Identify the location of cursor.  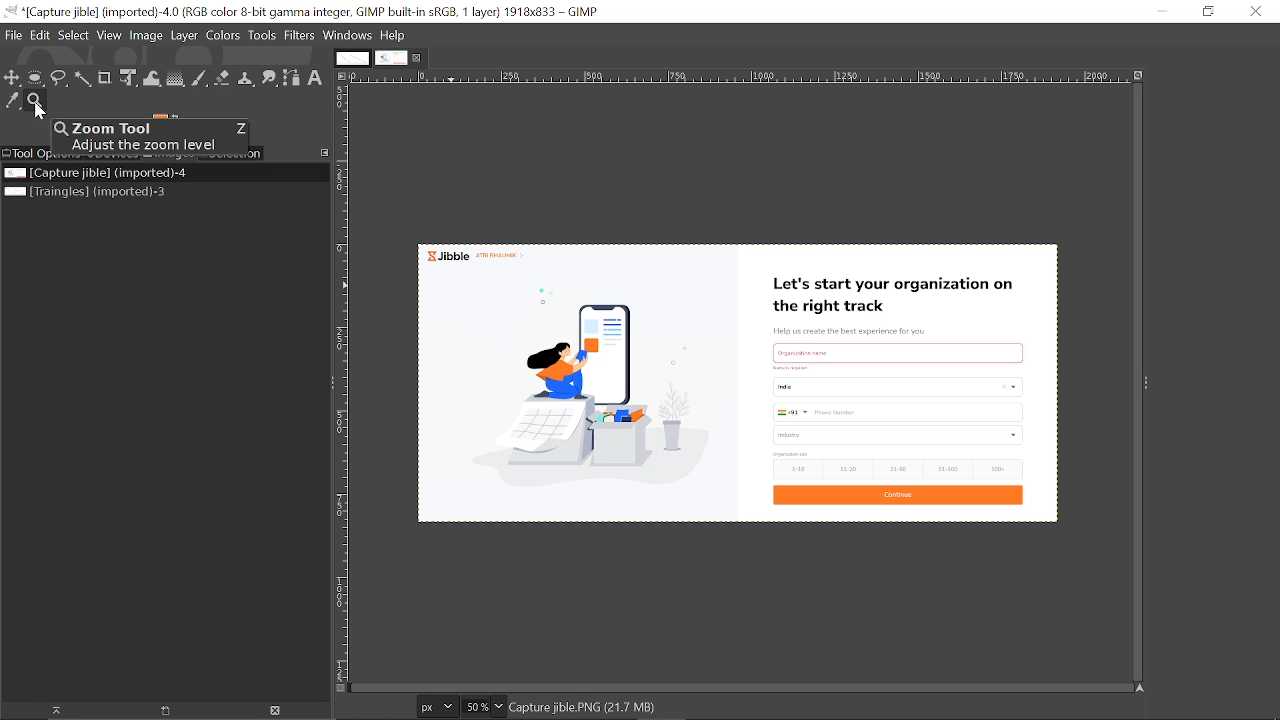
(41, 113).